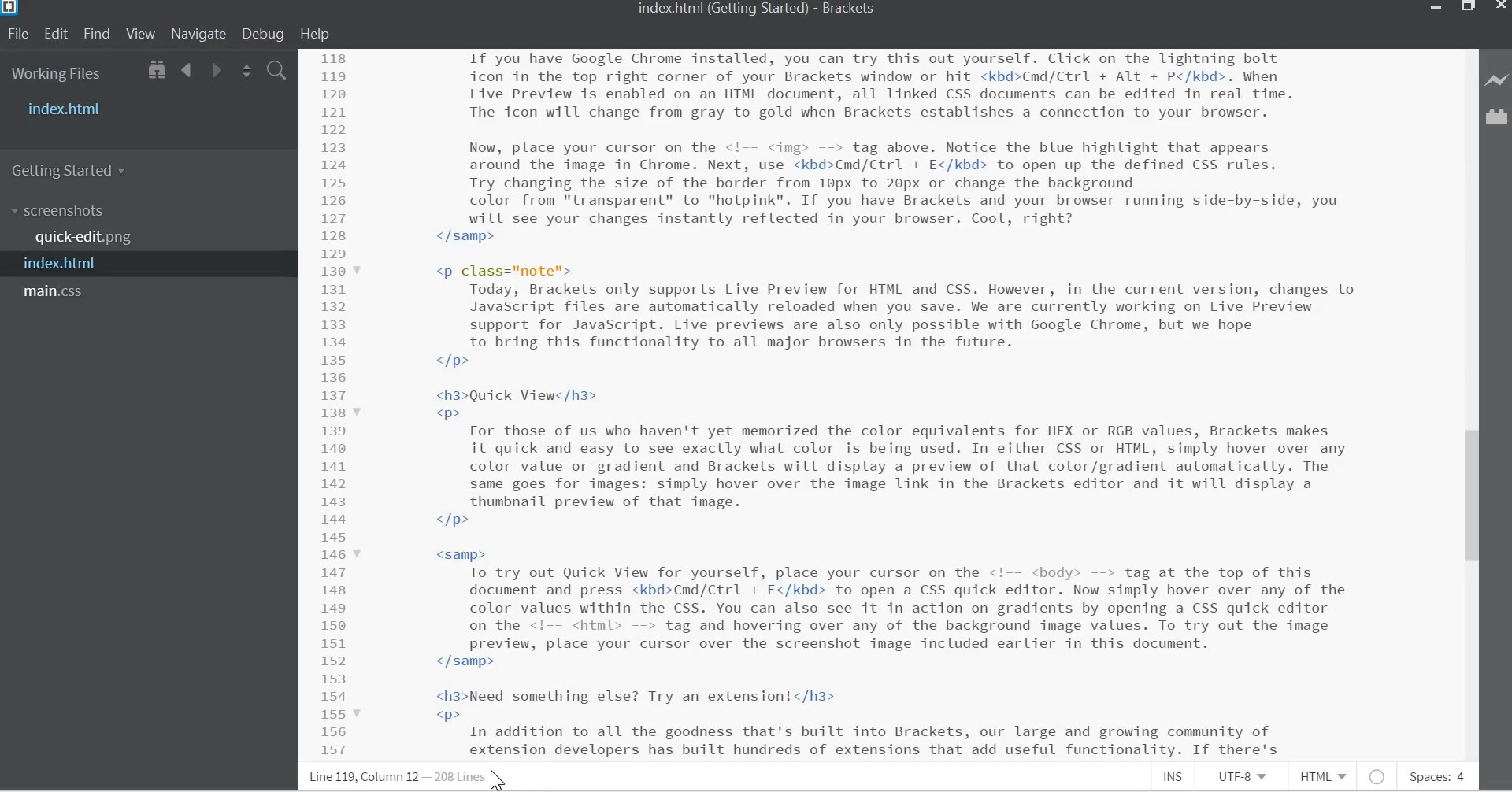 This screenshot has height=792, width=1512. Describe the element at coordinates (1496, 119) in the screenshot. I see `Extension manager` at that location.